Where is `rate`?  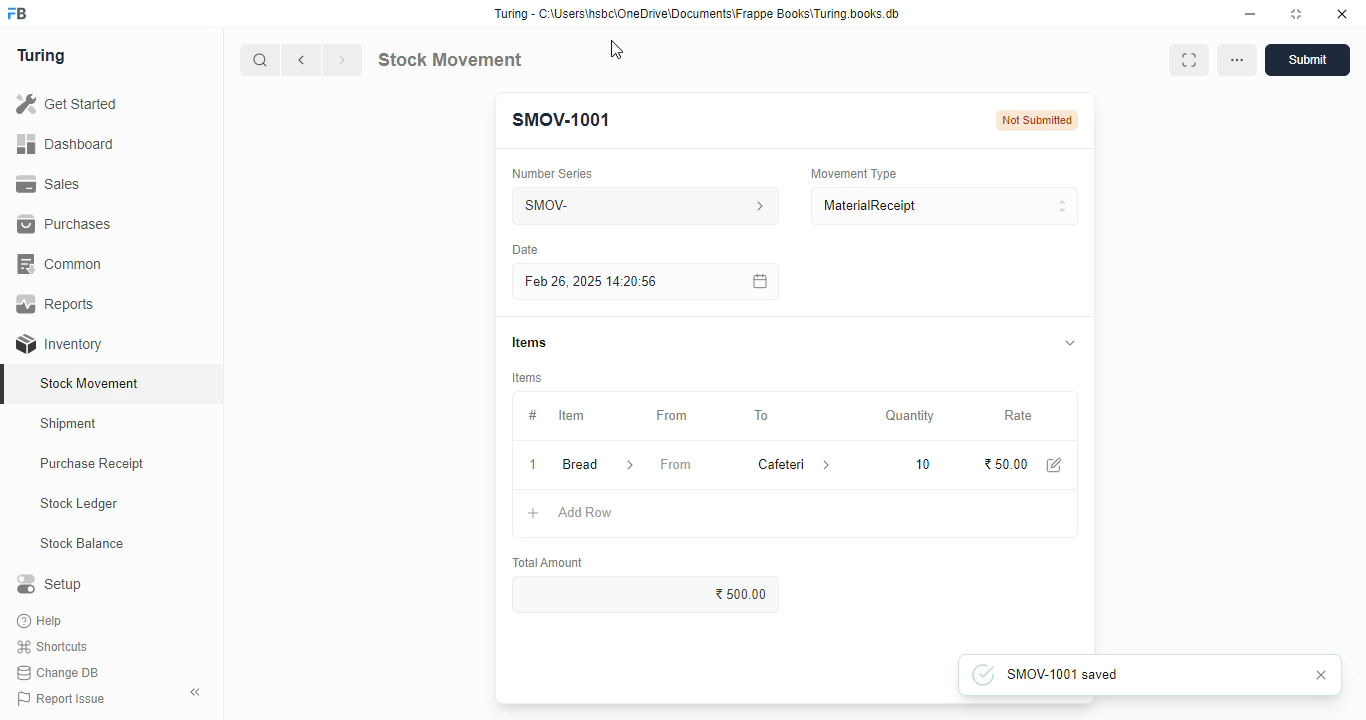 rate is located at coordinates (1019, 416).